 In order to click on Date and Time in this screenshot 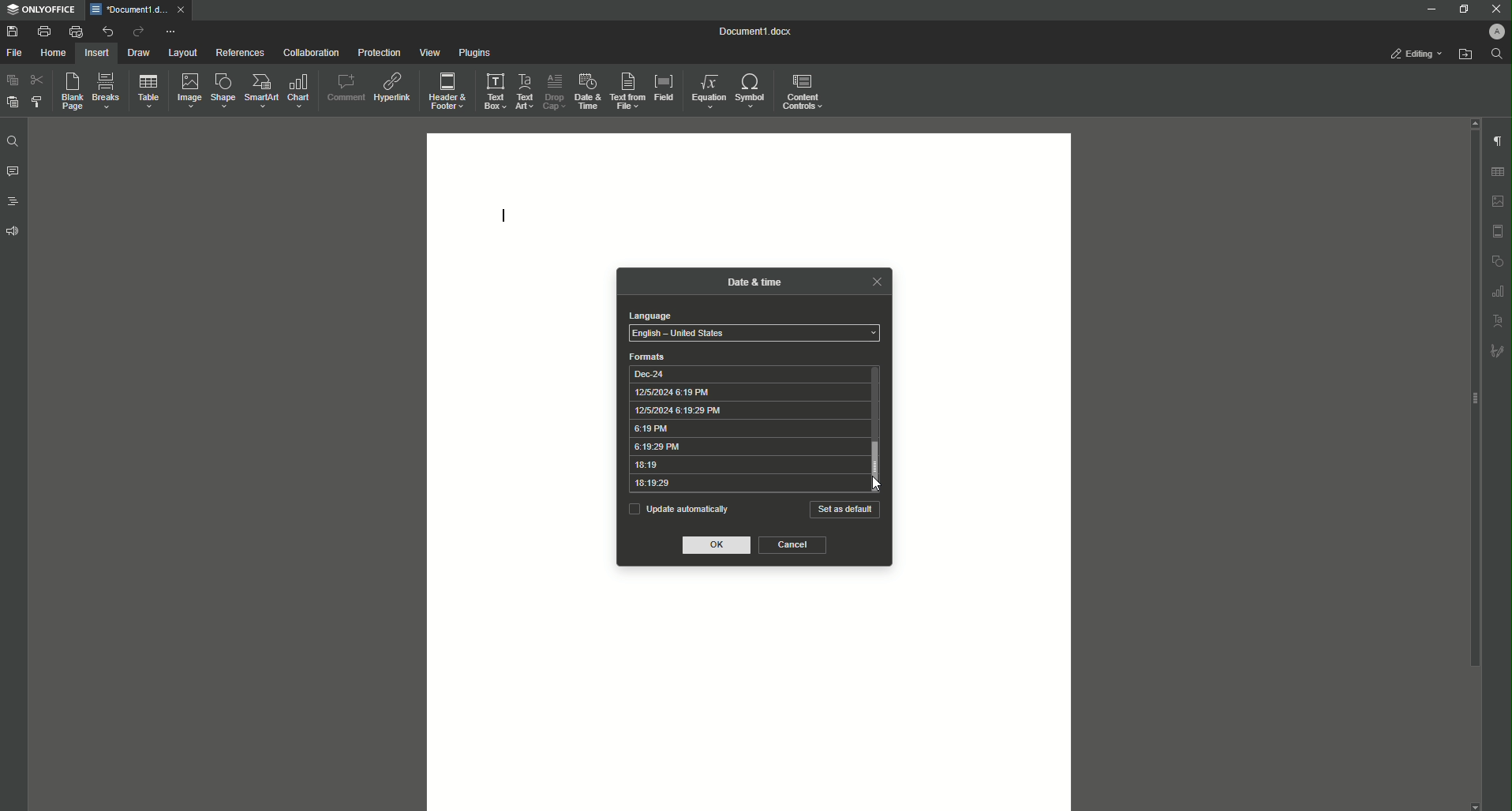, I will do `click(586, 90)`.